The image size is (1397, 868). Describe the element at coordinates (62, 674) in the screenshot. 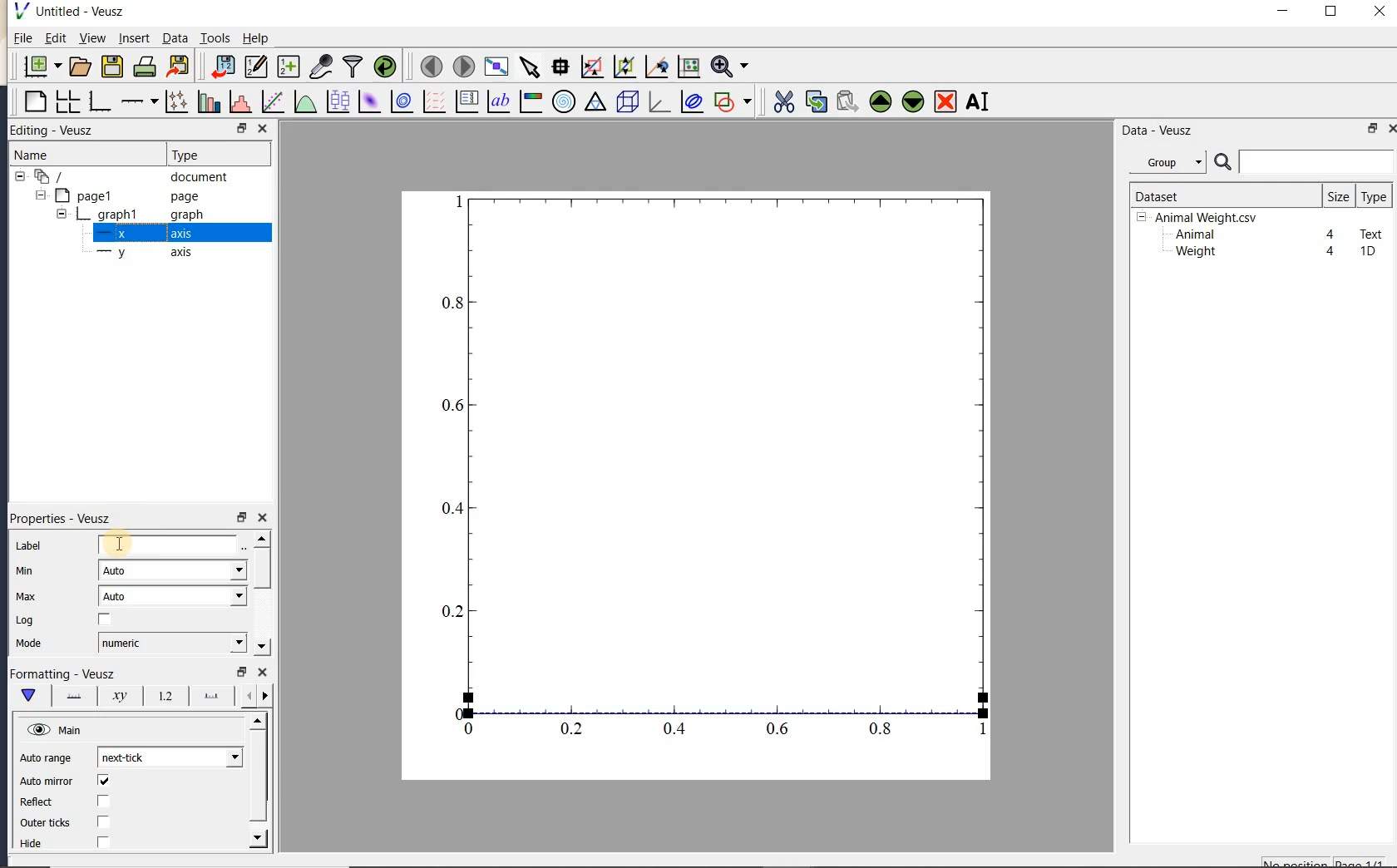

I see `Formatting - Veusz` at that location.